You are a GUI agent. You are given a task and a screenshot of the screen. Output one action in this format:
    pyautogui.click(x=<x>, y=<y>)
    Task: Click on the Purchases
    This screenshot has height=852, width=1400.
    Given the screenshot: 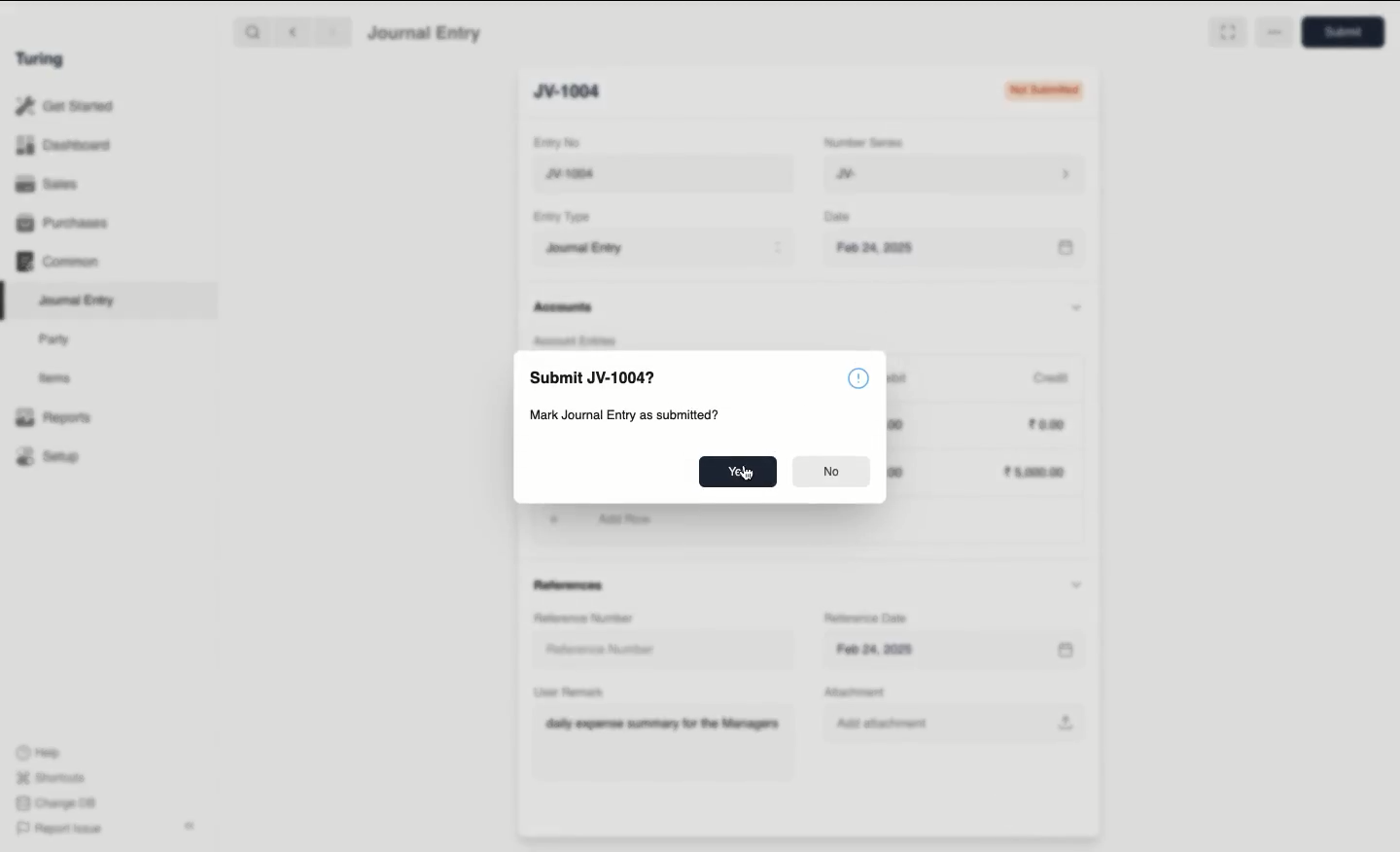 What is the action you would take?
    pyautogui.click(x=63, y=225)
    